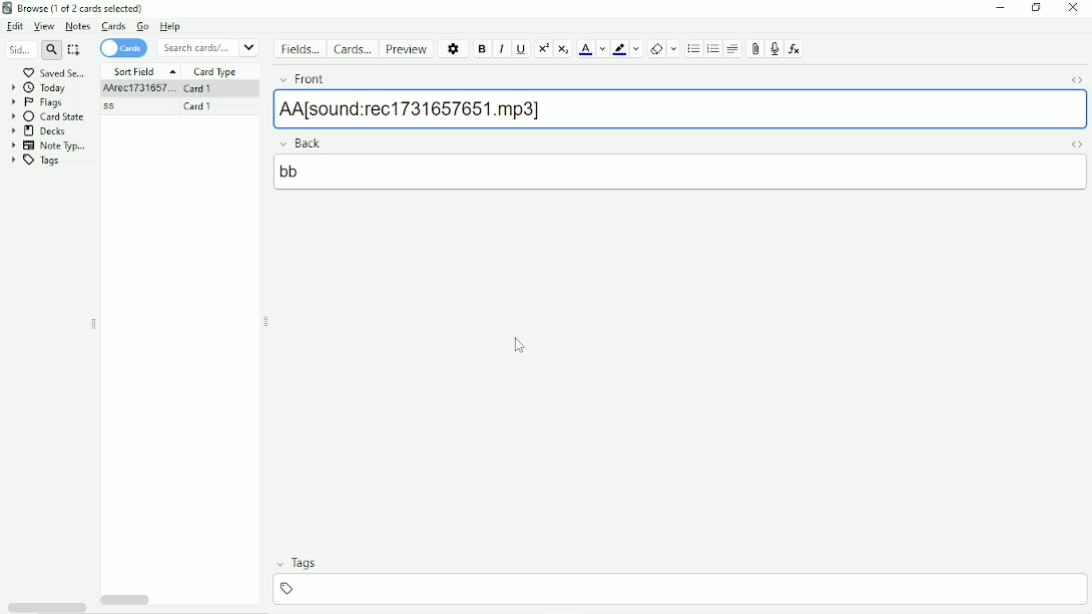 The height and width of the screenshot is (614, 1092). I want to click on Front, so click(428, 79).